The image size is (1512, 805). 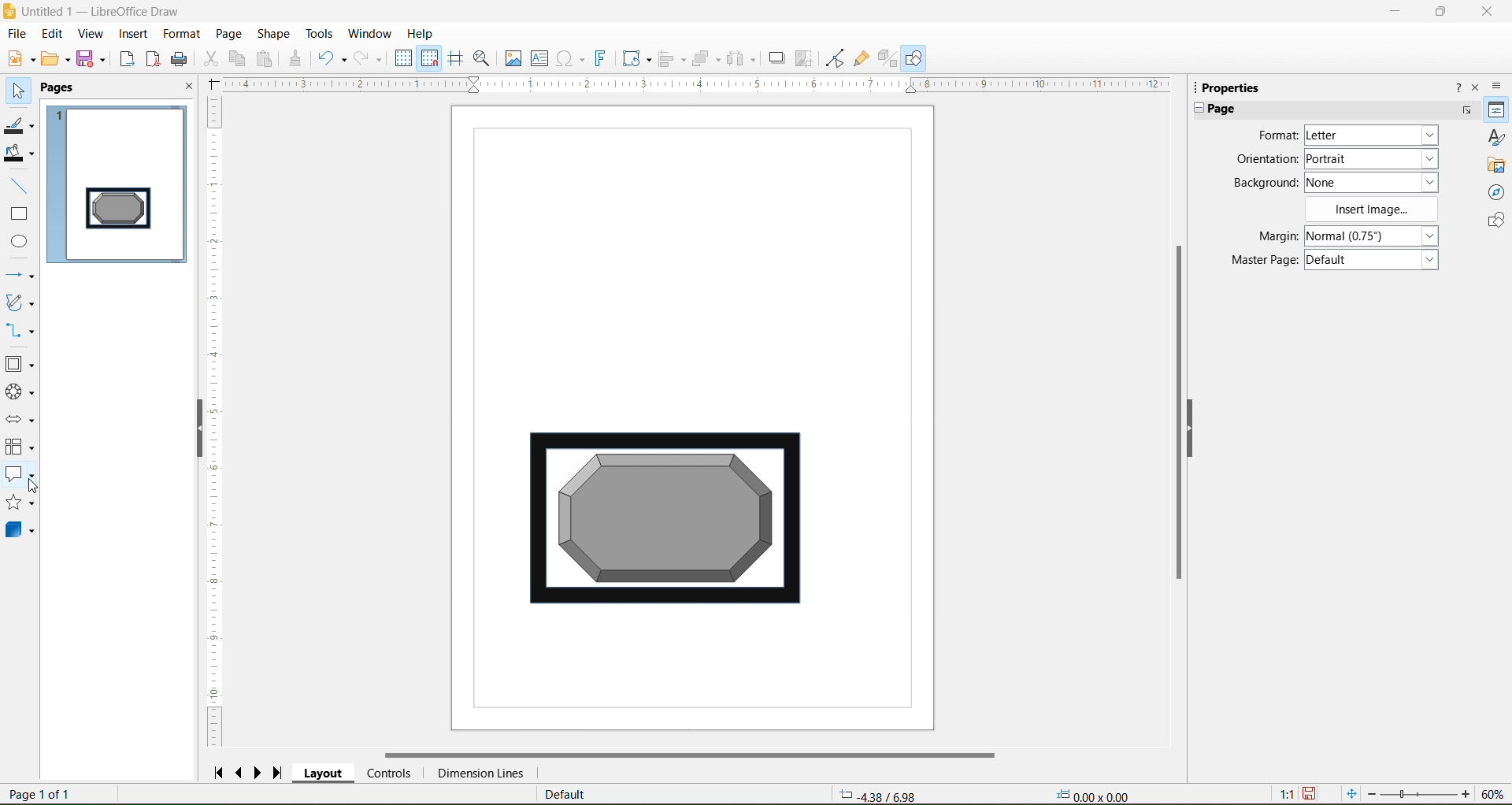 What do you see at coordinates (565, 795) in the screenshot?
I see `Default` at bounding box center [565, 795].